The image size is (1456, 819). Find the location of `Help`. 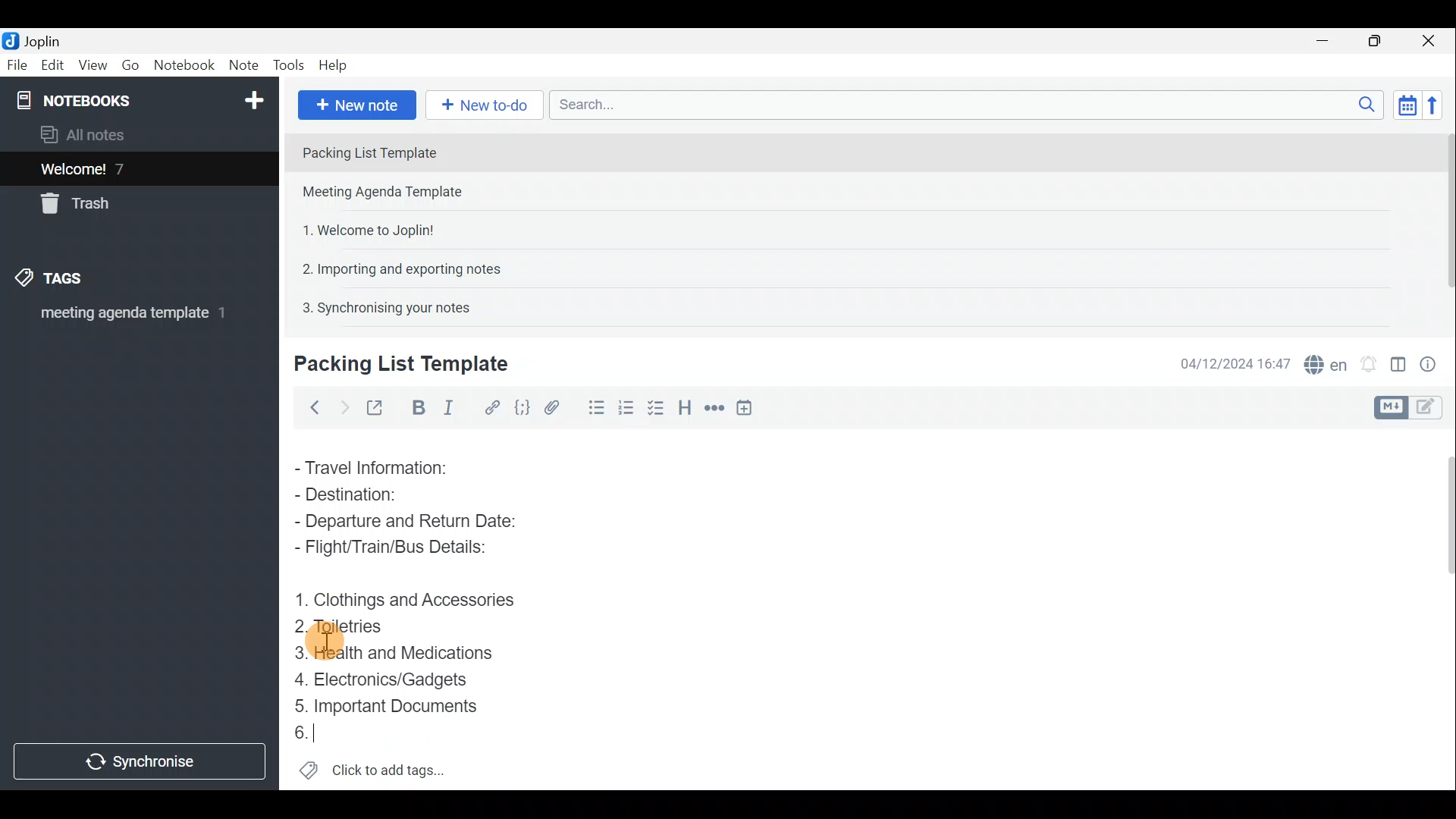

Help is located at coordinates (335, 67).